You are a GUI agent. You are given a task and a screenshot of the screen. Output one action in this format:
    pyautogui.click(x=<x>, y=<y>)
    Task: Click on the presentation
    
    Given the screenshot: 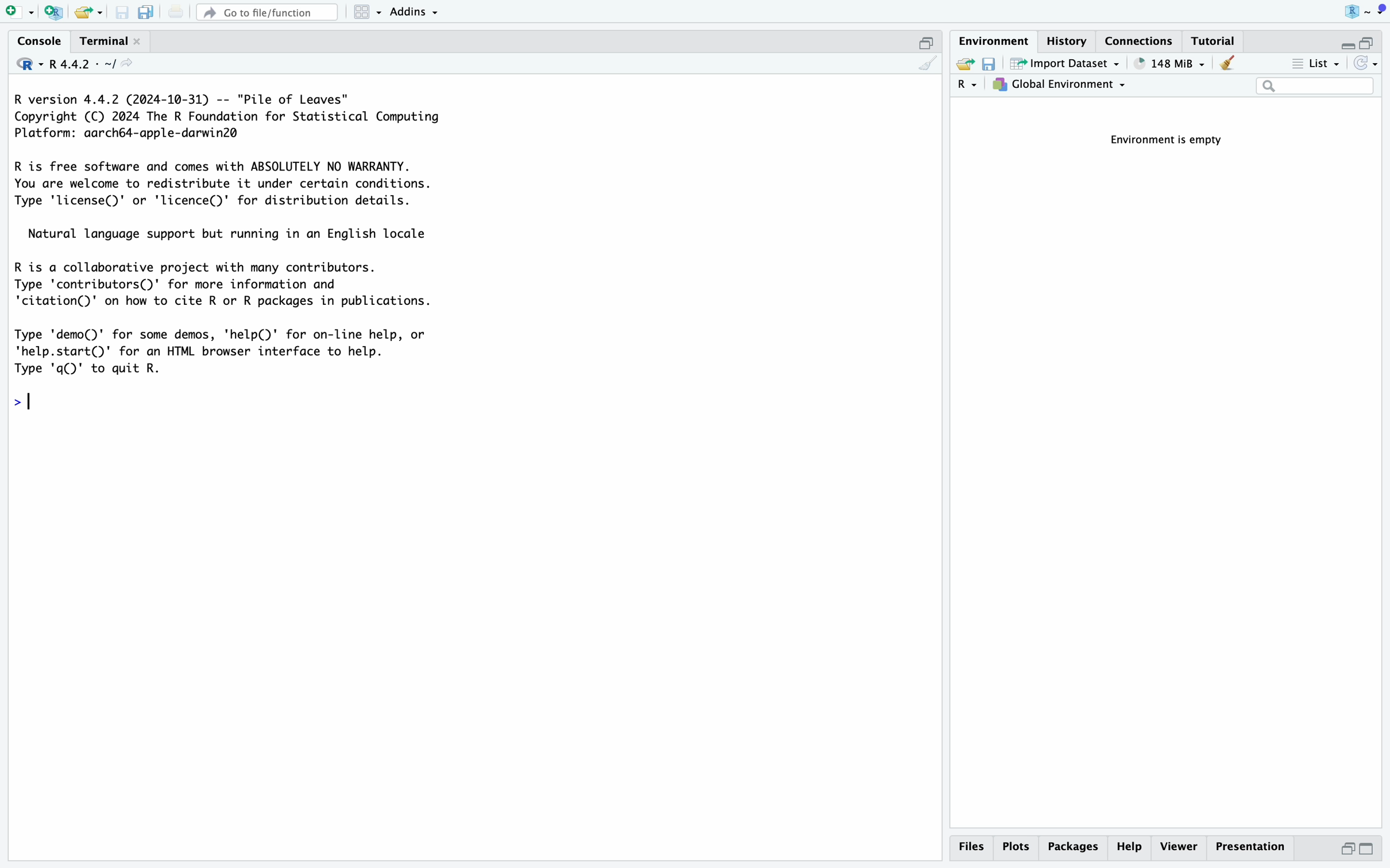 What is the action you would take?
    pyautogui.click(x=1256, y=850)
    